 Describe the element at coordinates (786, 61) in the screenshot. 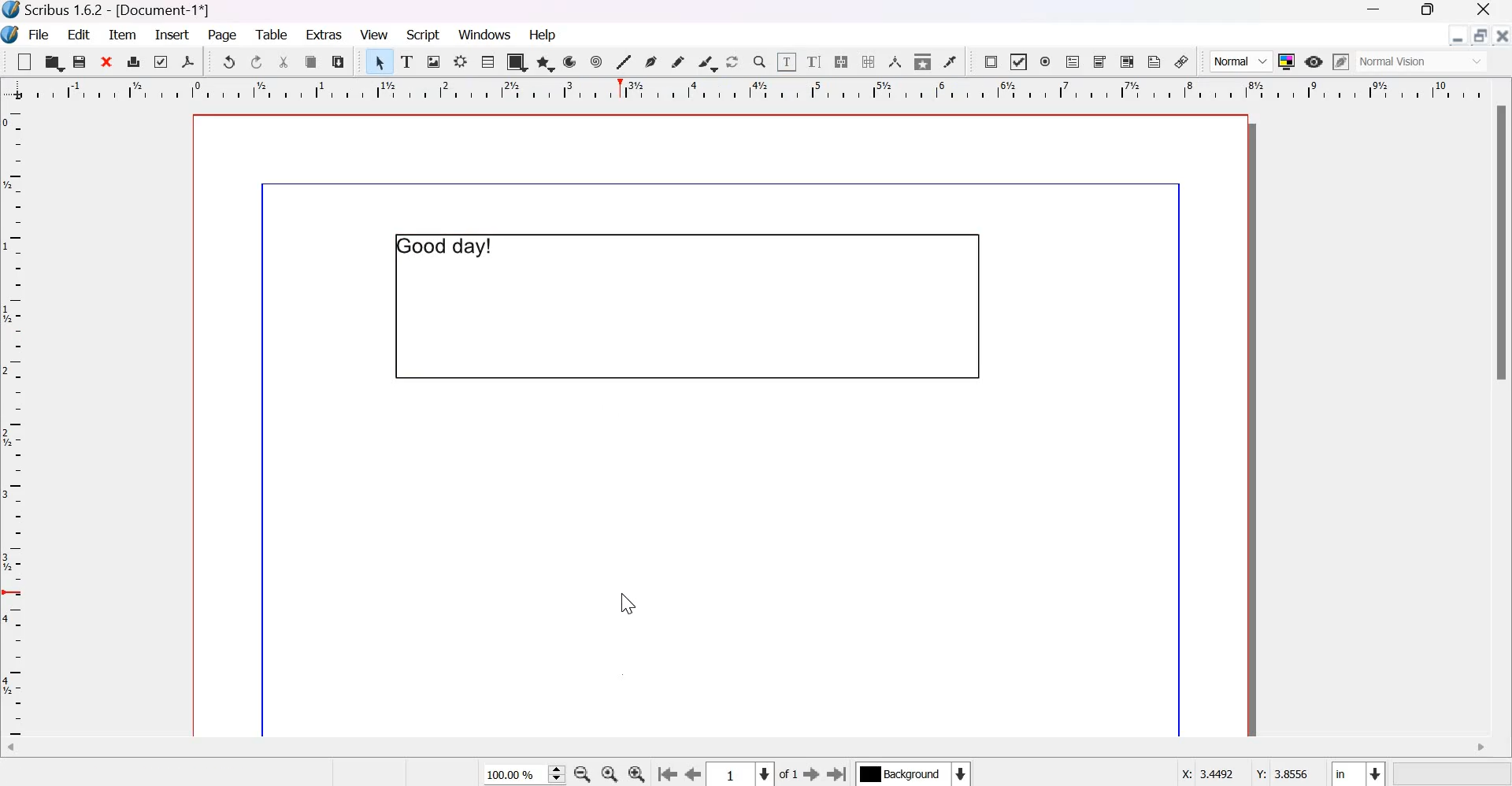

I see `edit contents of frame` at that location.